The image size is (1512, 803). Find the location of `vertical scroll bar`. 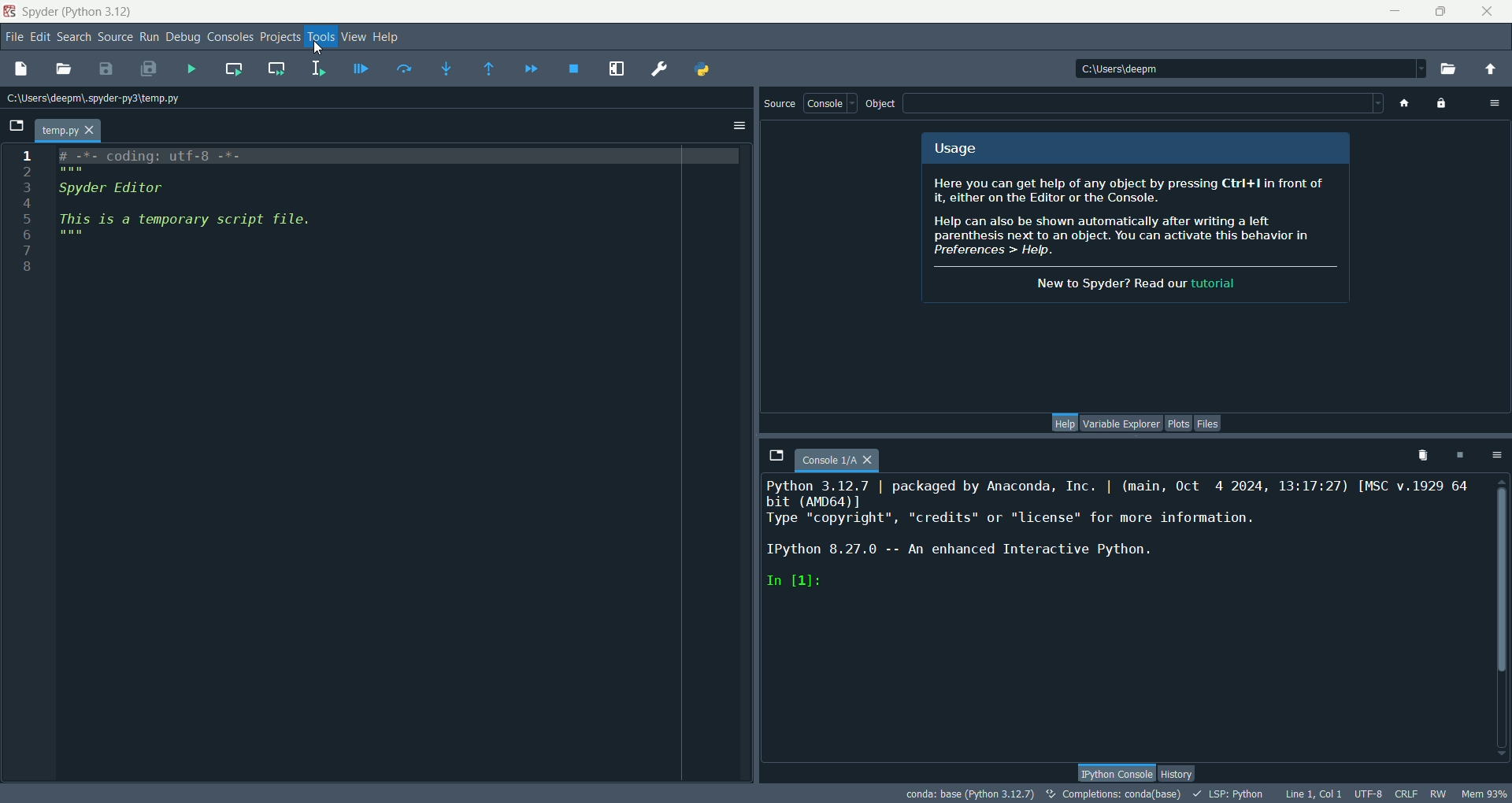

vertical scroll bar is located at coordinates (1501, 618).